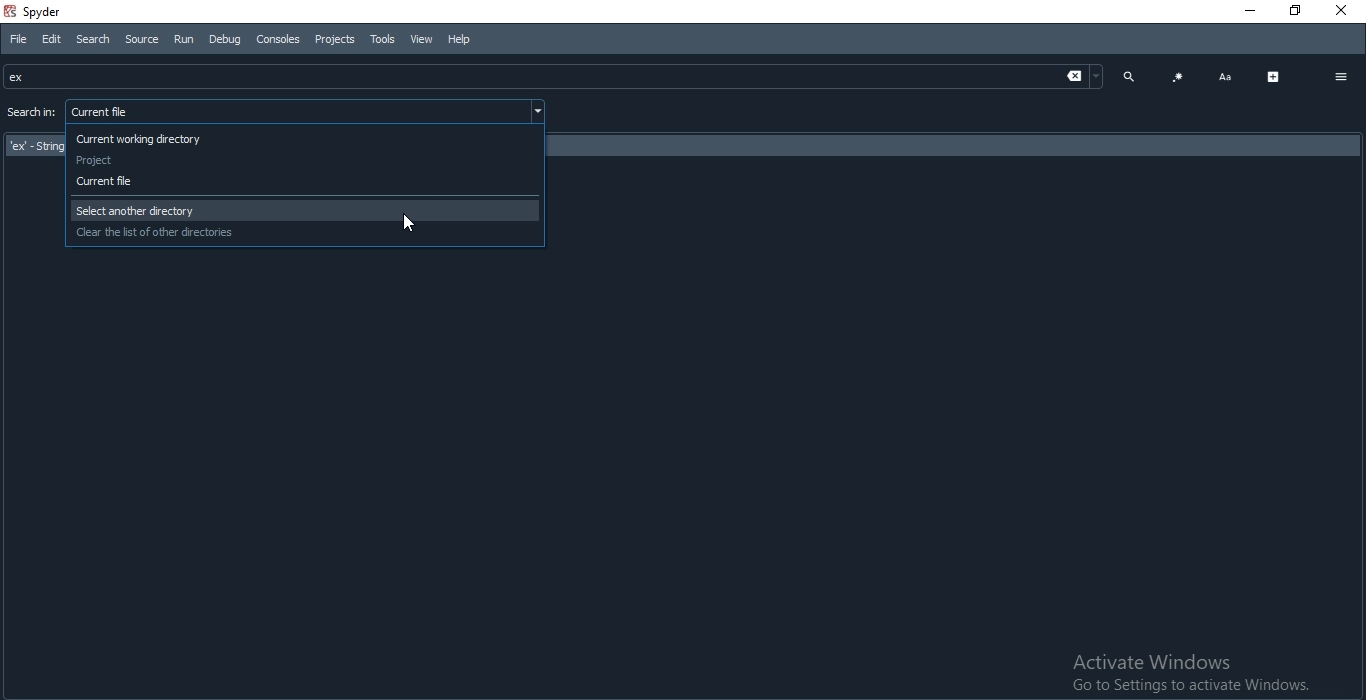  Describe the element at coordinates (419, 40) in the screenshot. I see `View` at that location.